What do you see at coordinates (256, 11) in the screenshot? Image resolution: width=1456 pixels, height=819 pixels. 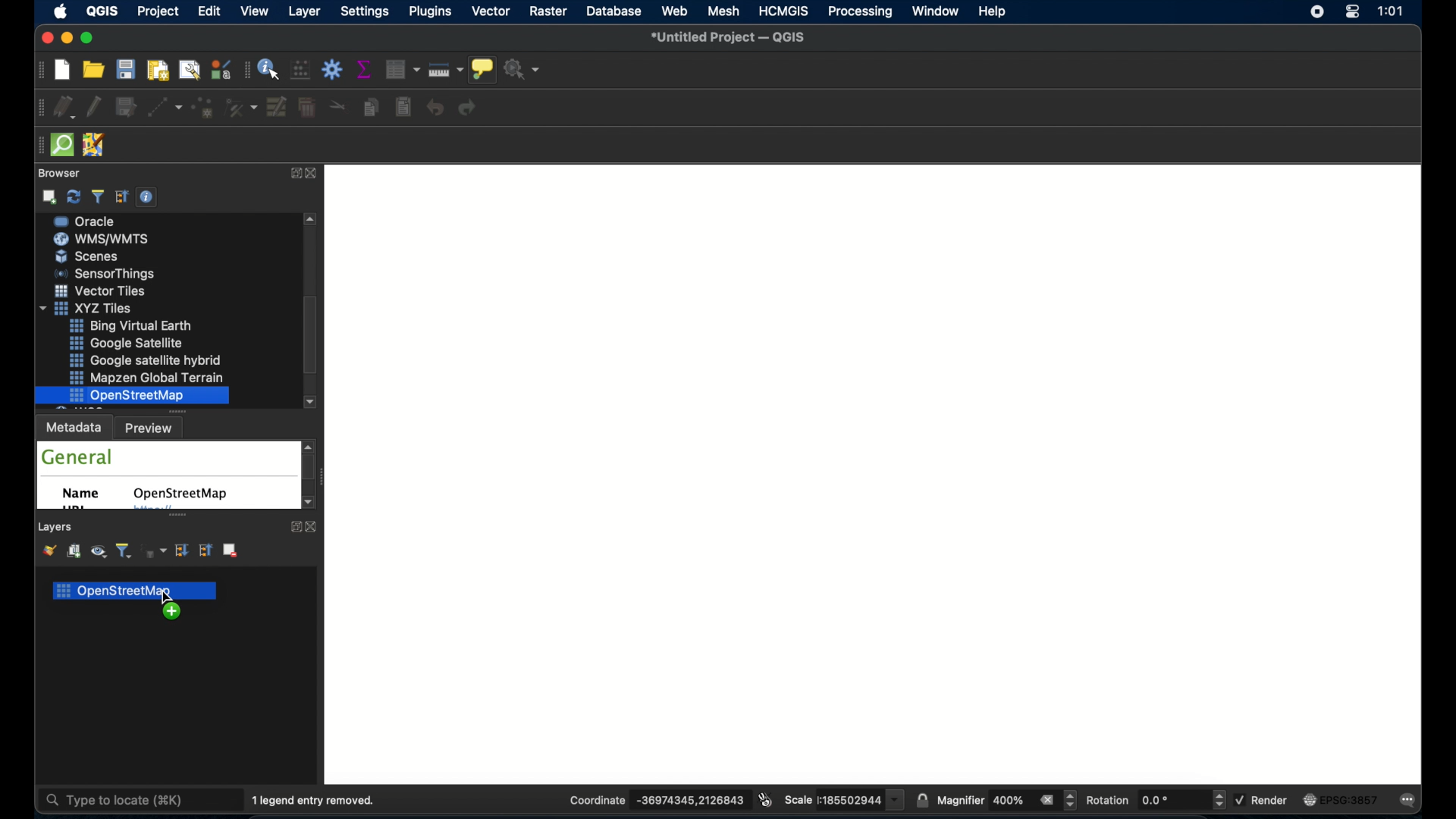 I see `view` at bounding box center [256, 11].